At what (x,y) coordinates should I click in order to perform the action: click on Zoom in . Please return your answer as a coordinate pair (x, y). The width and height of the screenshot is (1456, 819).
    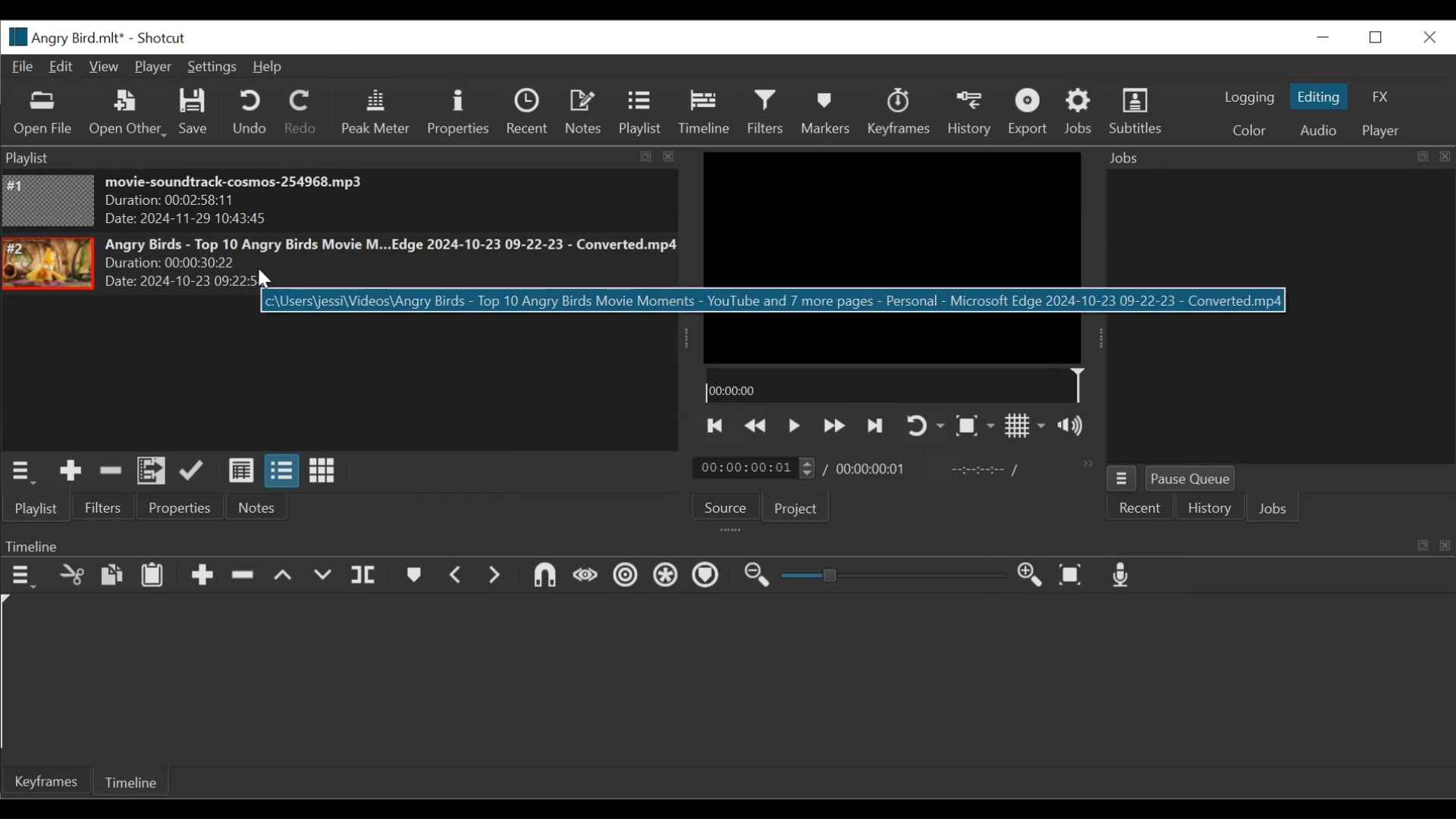
    Looking at the image, I should click on (1035, 576).